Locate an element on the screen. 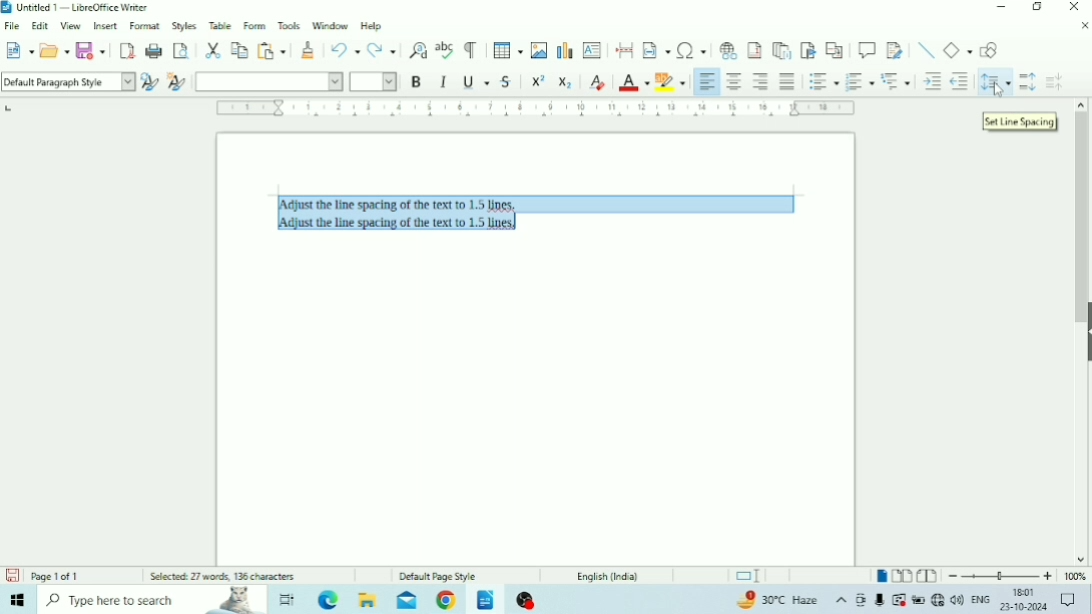  New is located at coordinates (20, 49).